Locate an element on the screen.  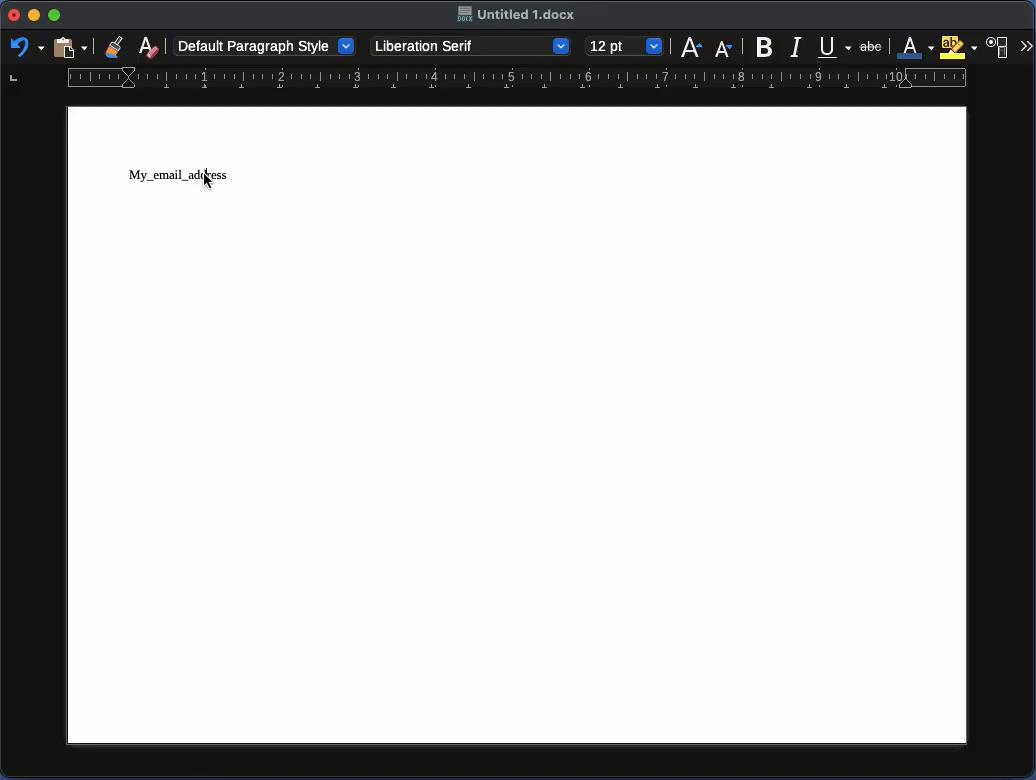
My_email_address is located at coordinates (176, 175).